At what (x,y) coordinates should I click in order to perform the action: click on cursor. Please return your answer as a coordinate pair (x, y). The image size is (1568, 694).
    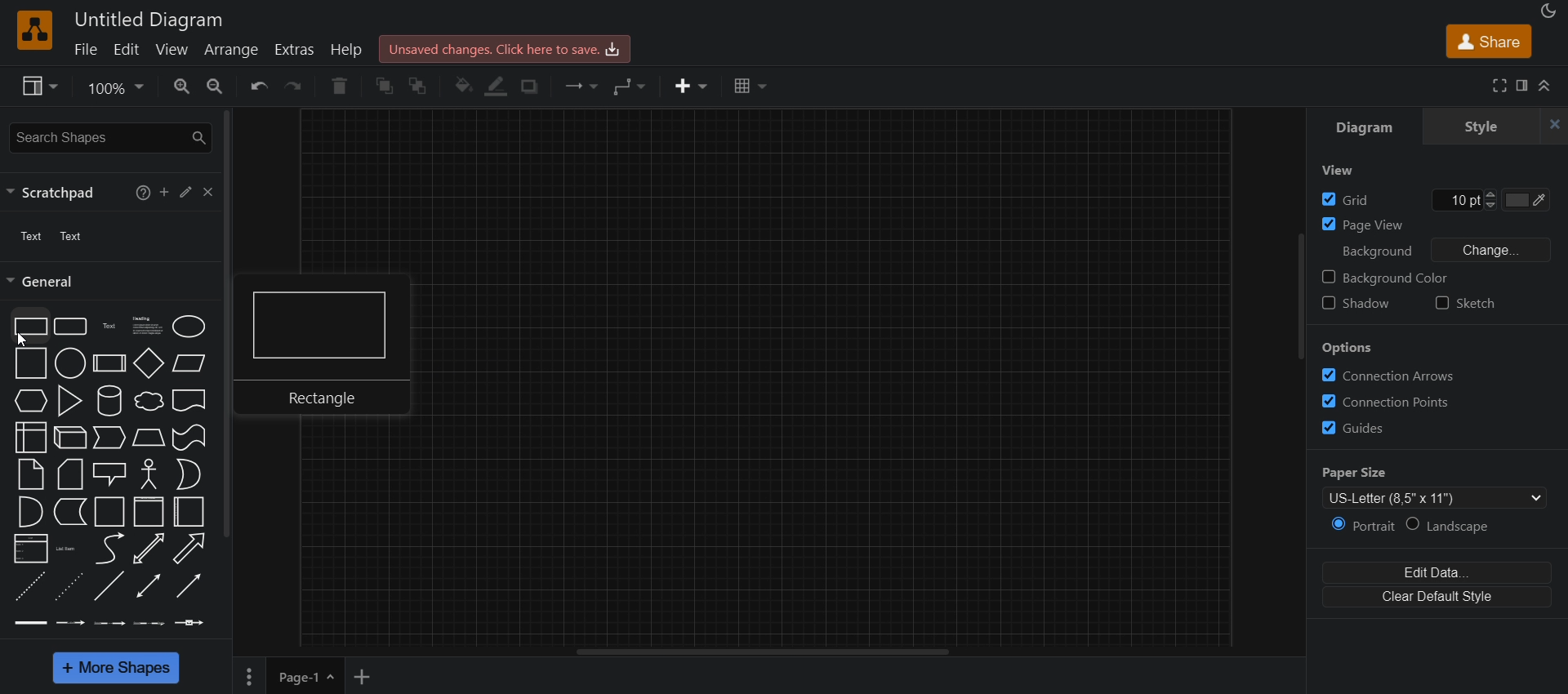
    Looking at the image, I should click on (23, 340).